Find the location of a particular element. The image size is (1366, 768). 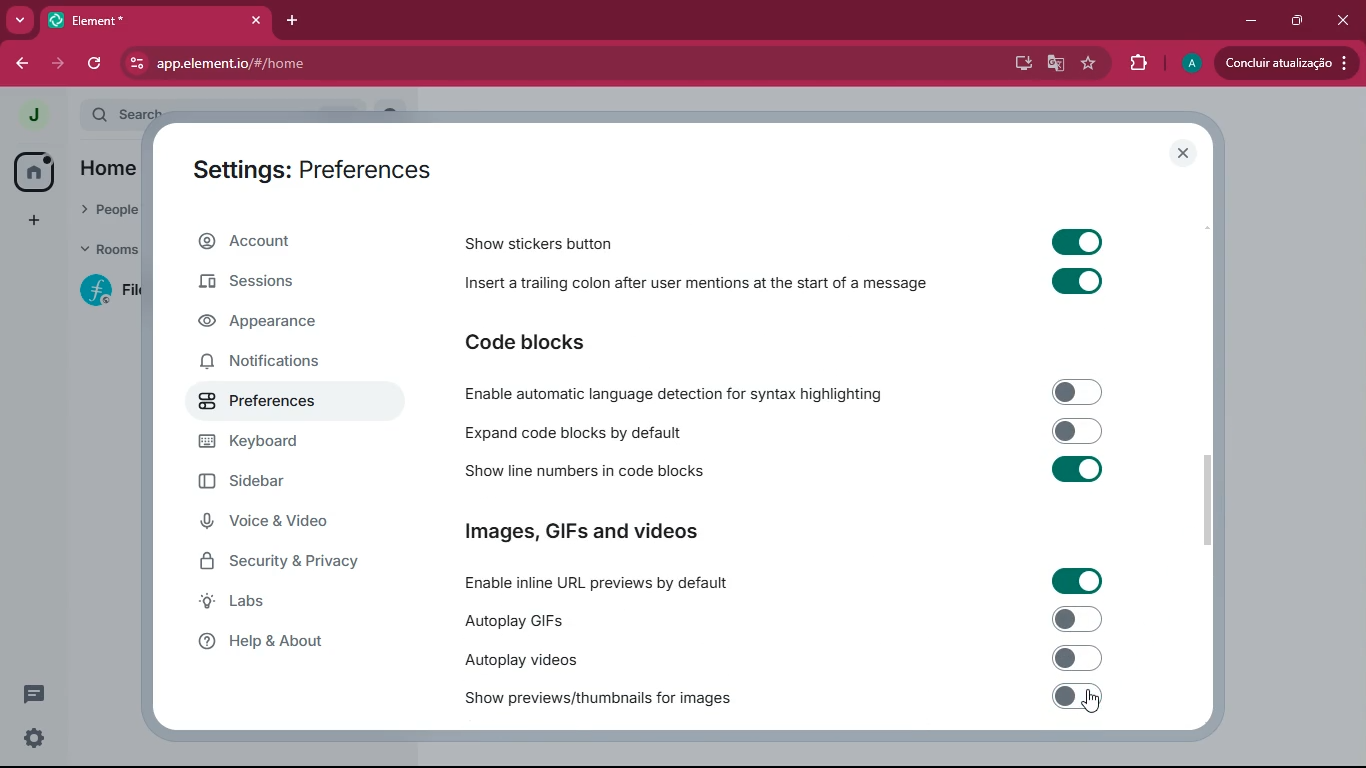

Voice & Video is located at coordinates (274, 524).